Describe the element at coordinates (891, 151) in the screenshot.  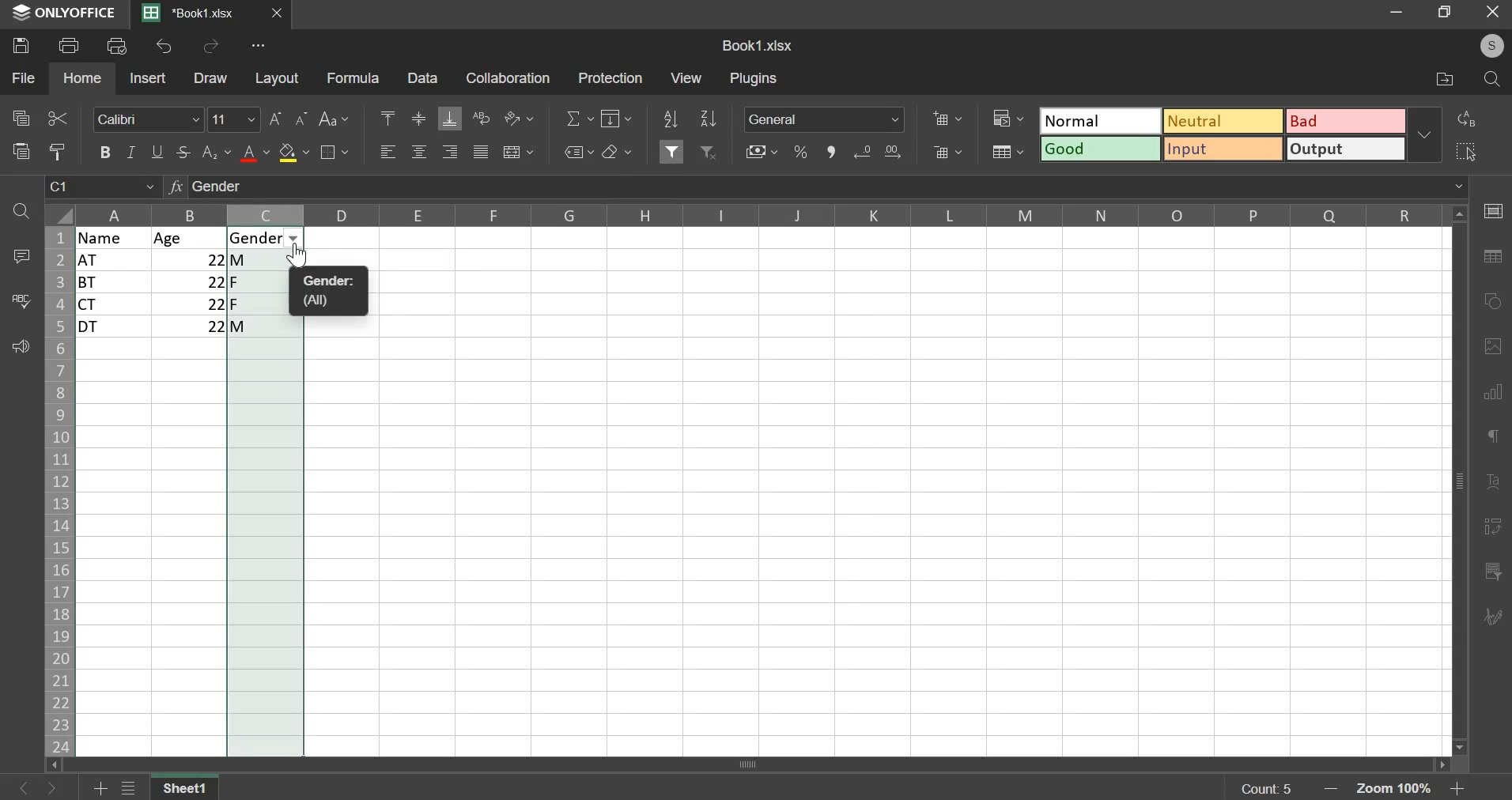
I see `increase decimal` at that location.